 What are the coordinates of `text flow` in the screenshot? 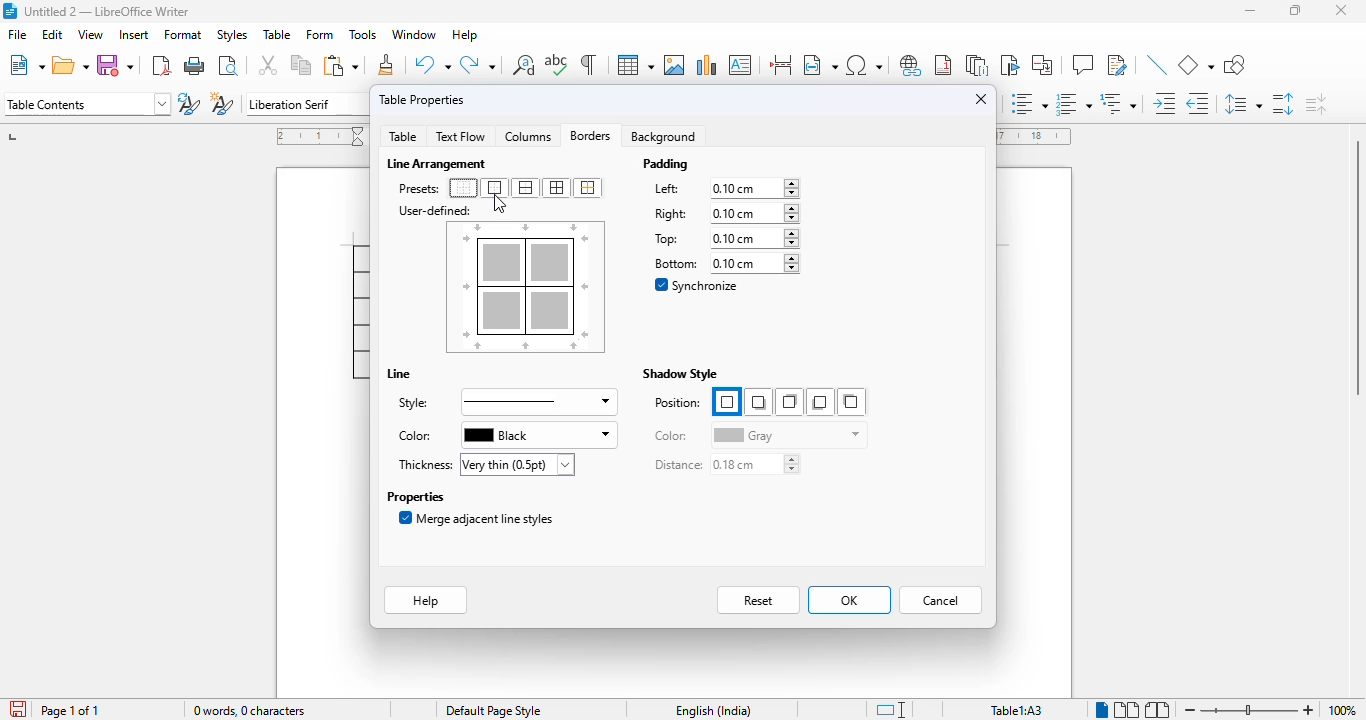 It's located at (460, 137).